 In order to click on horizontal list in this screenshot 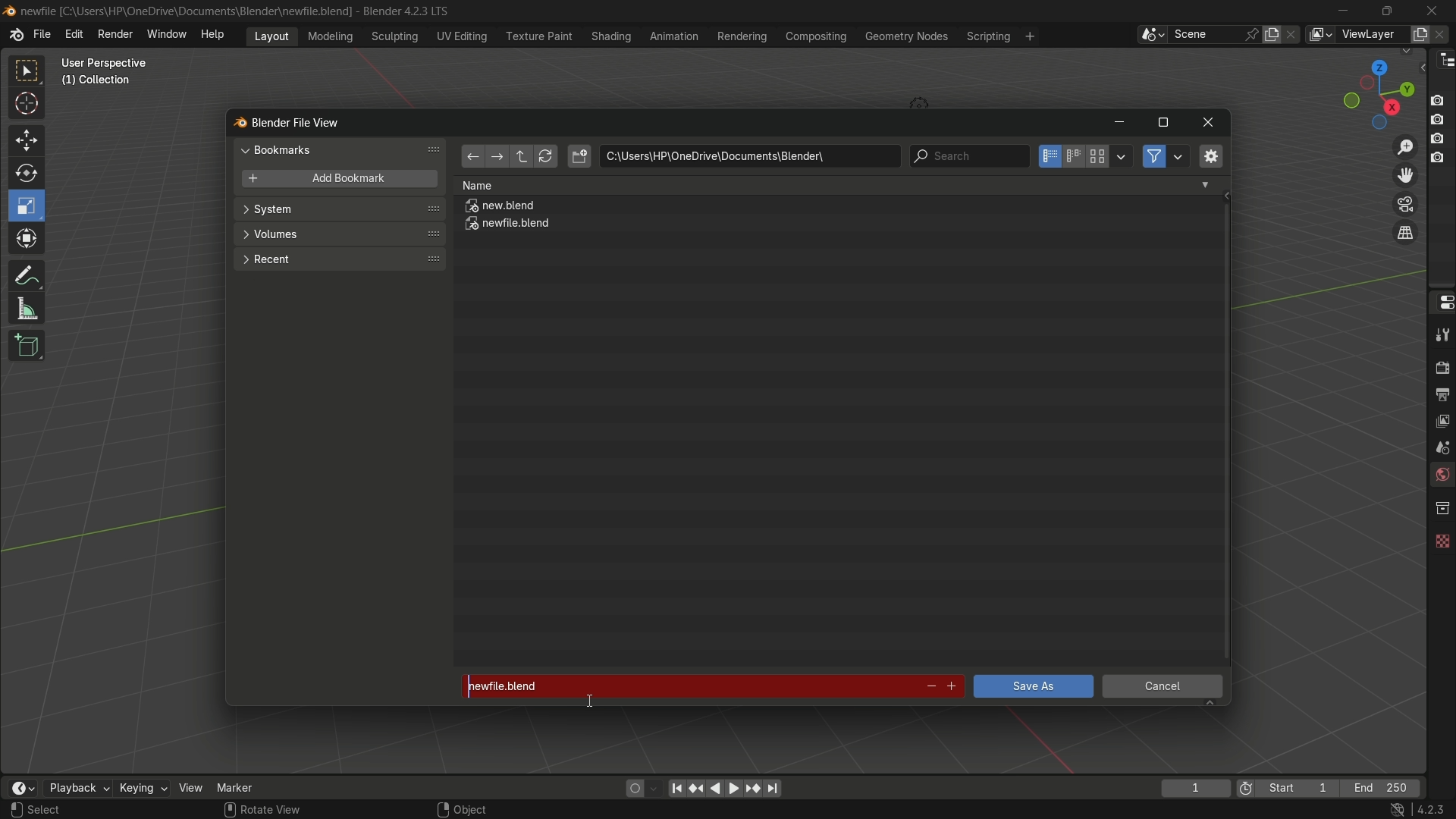, I will do `click(1073, 156)`.